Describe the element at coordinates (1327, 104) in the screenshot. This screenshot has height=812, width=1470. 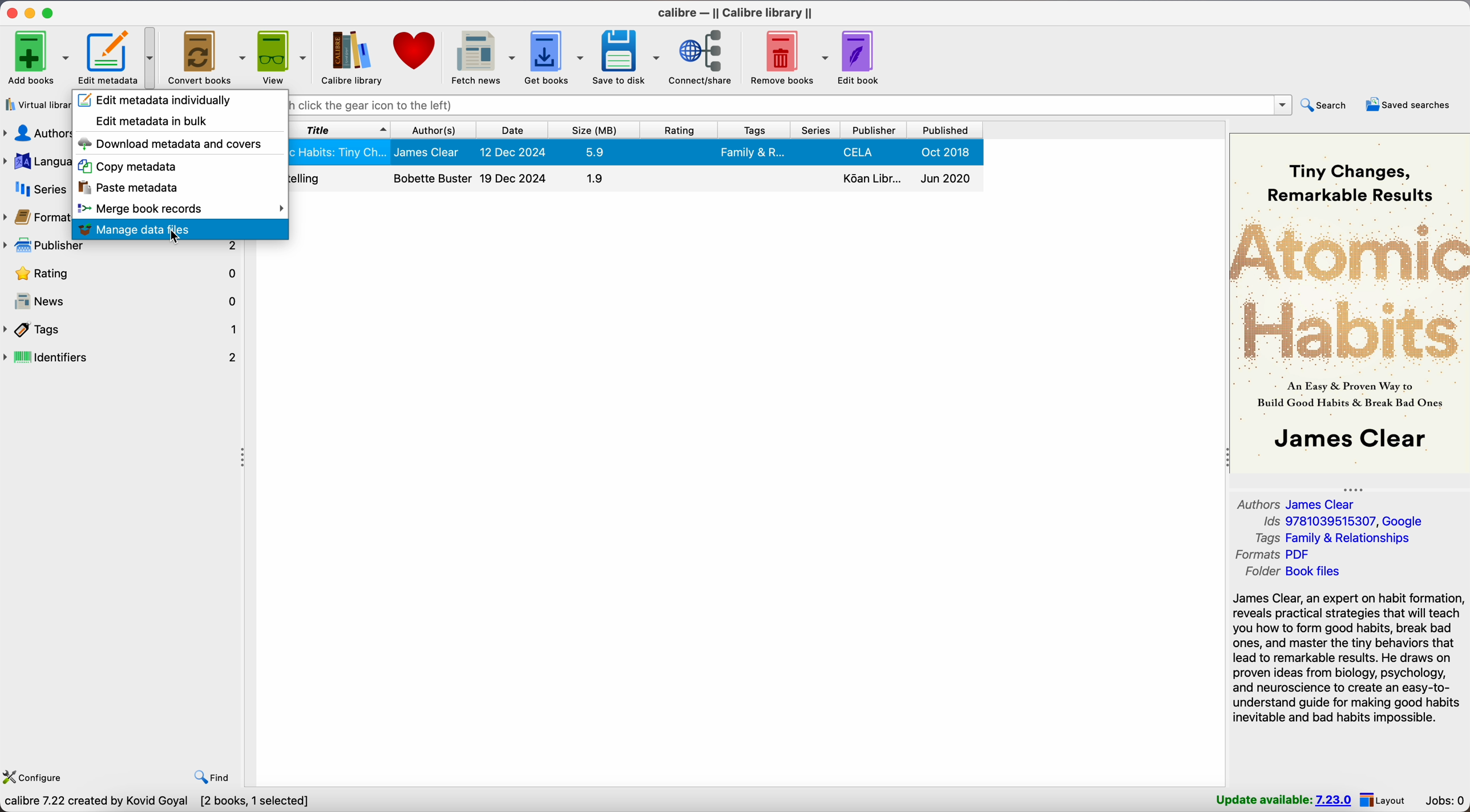
I see `search` at that location.